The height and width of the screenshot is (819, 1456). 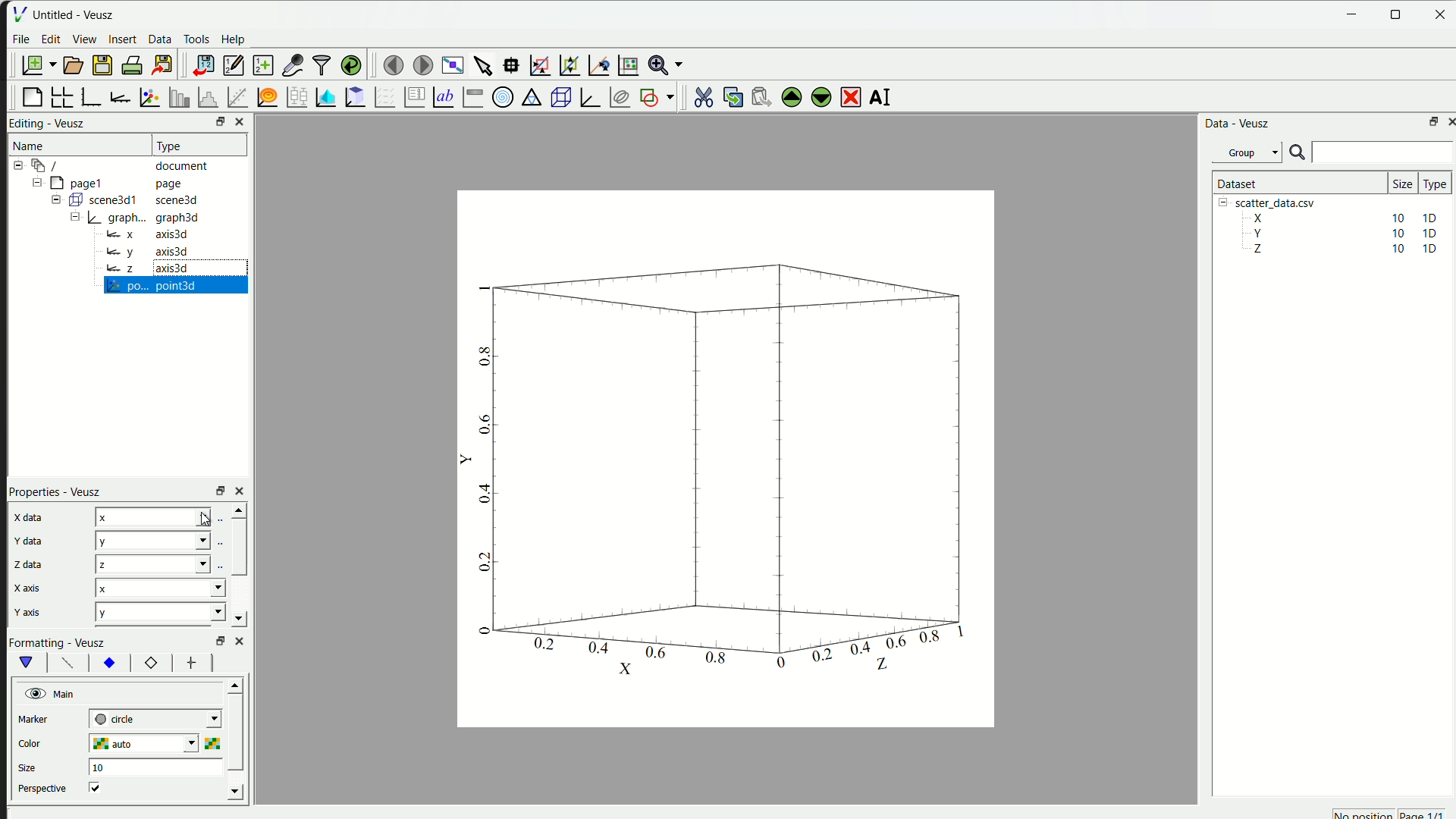 What do you see at coordinates (442, 98) in the screenshot?
I see `Text label` at bounding box center [442, 98].